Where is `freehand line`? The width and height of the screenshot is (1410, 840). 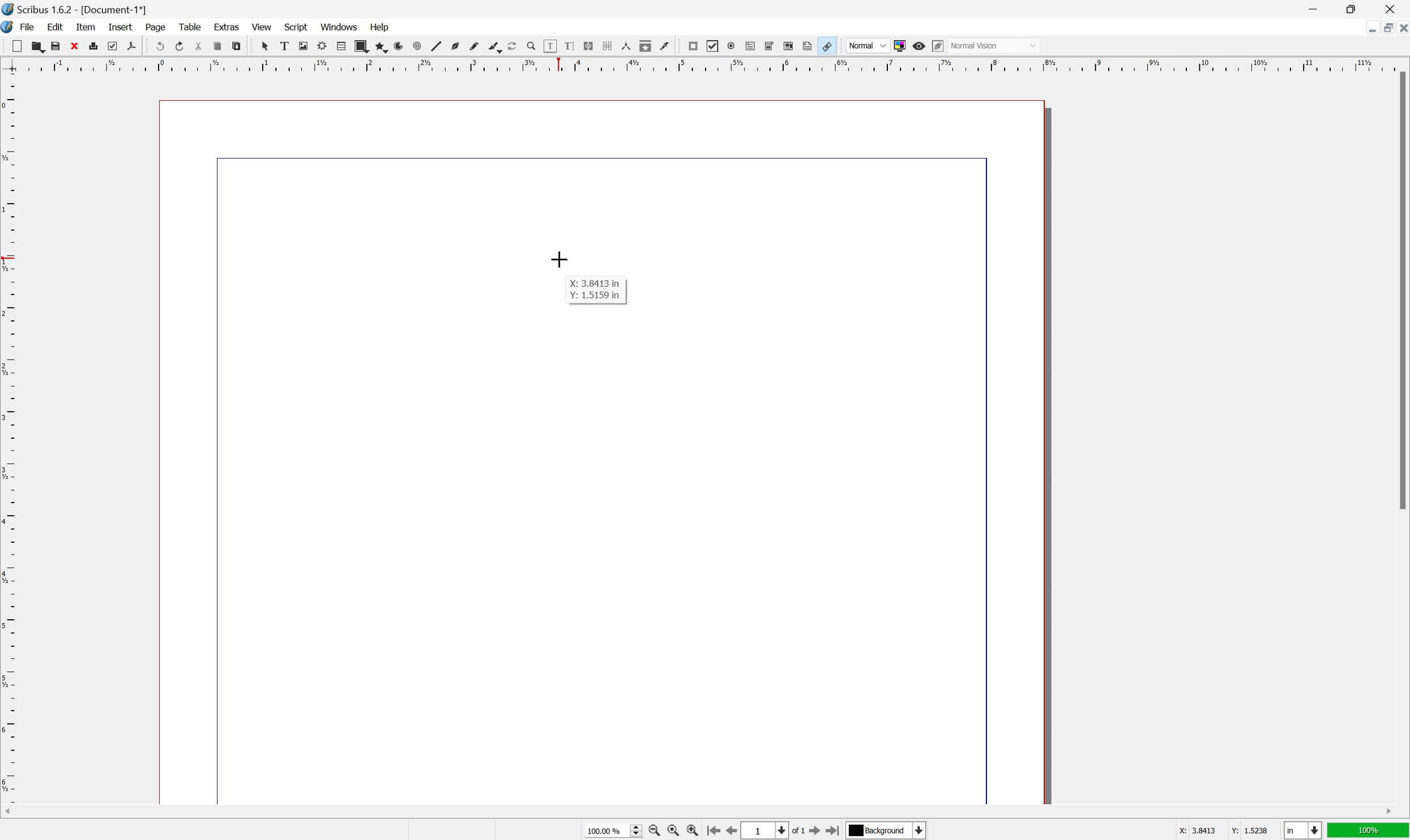 freehand line is located at coordinates (474, 47).